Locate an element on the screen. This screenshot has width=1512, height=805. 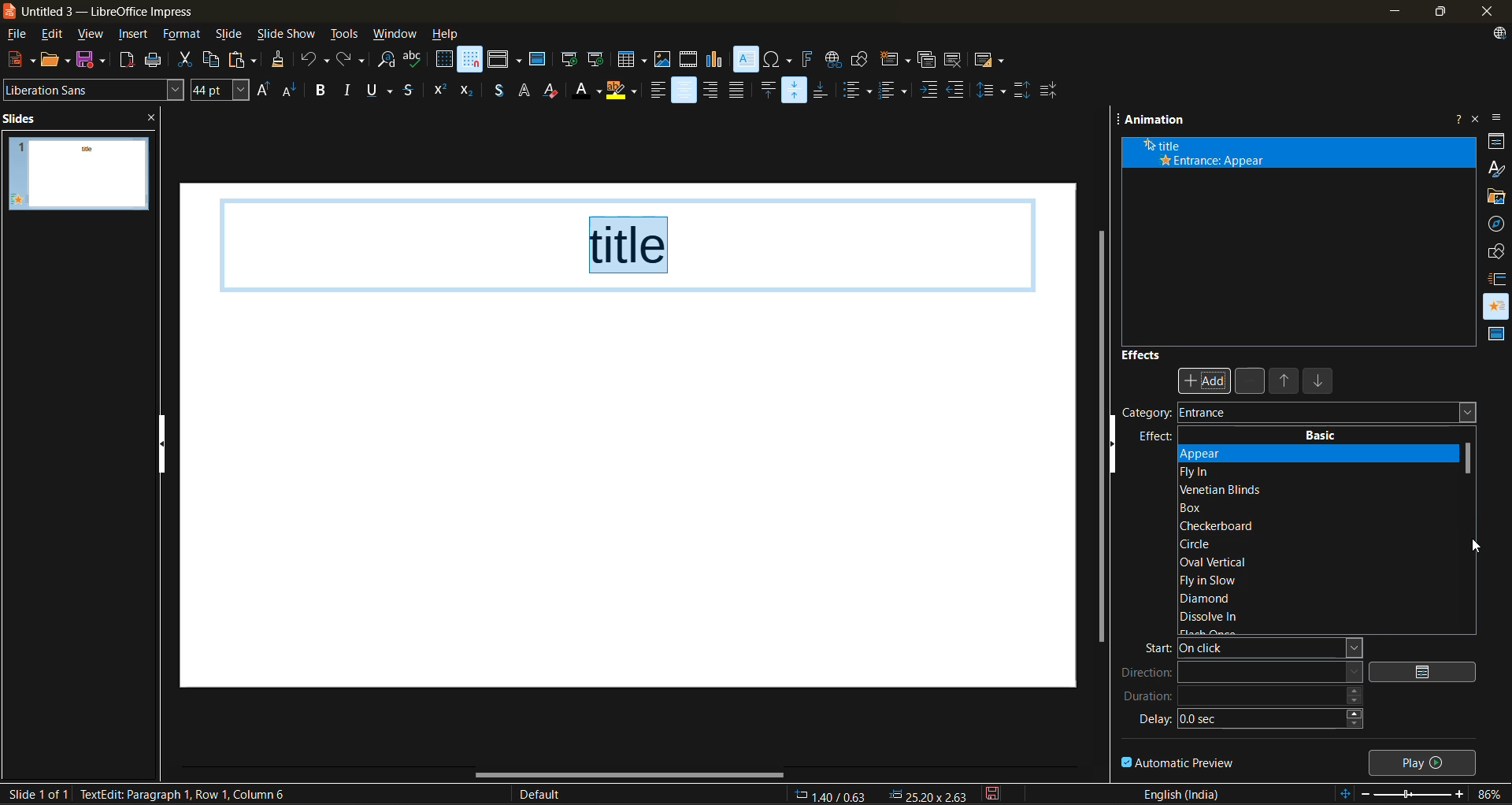
insert special characterss is located at coordinates (778, 59).